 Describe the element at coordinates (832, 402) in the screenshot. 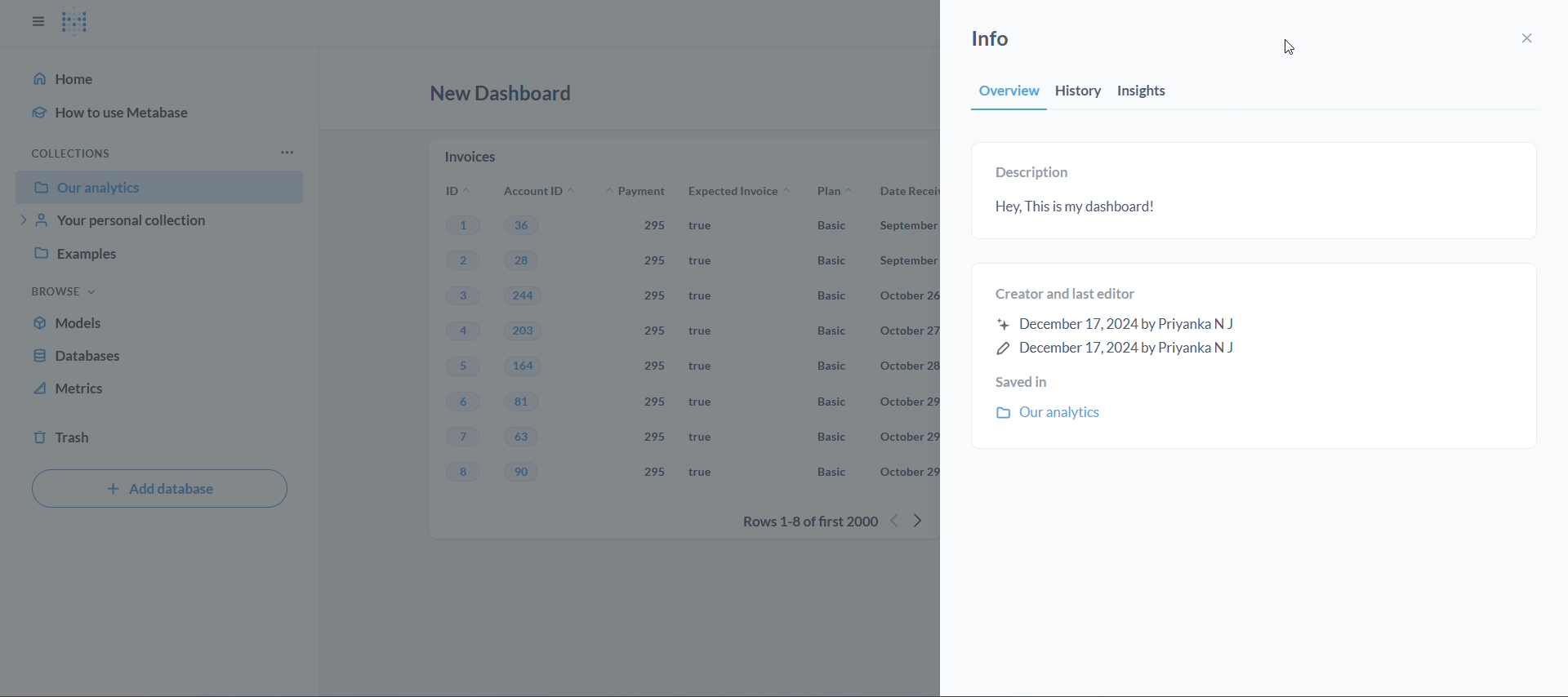

I see `Basic` at that location.